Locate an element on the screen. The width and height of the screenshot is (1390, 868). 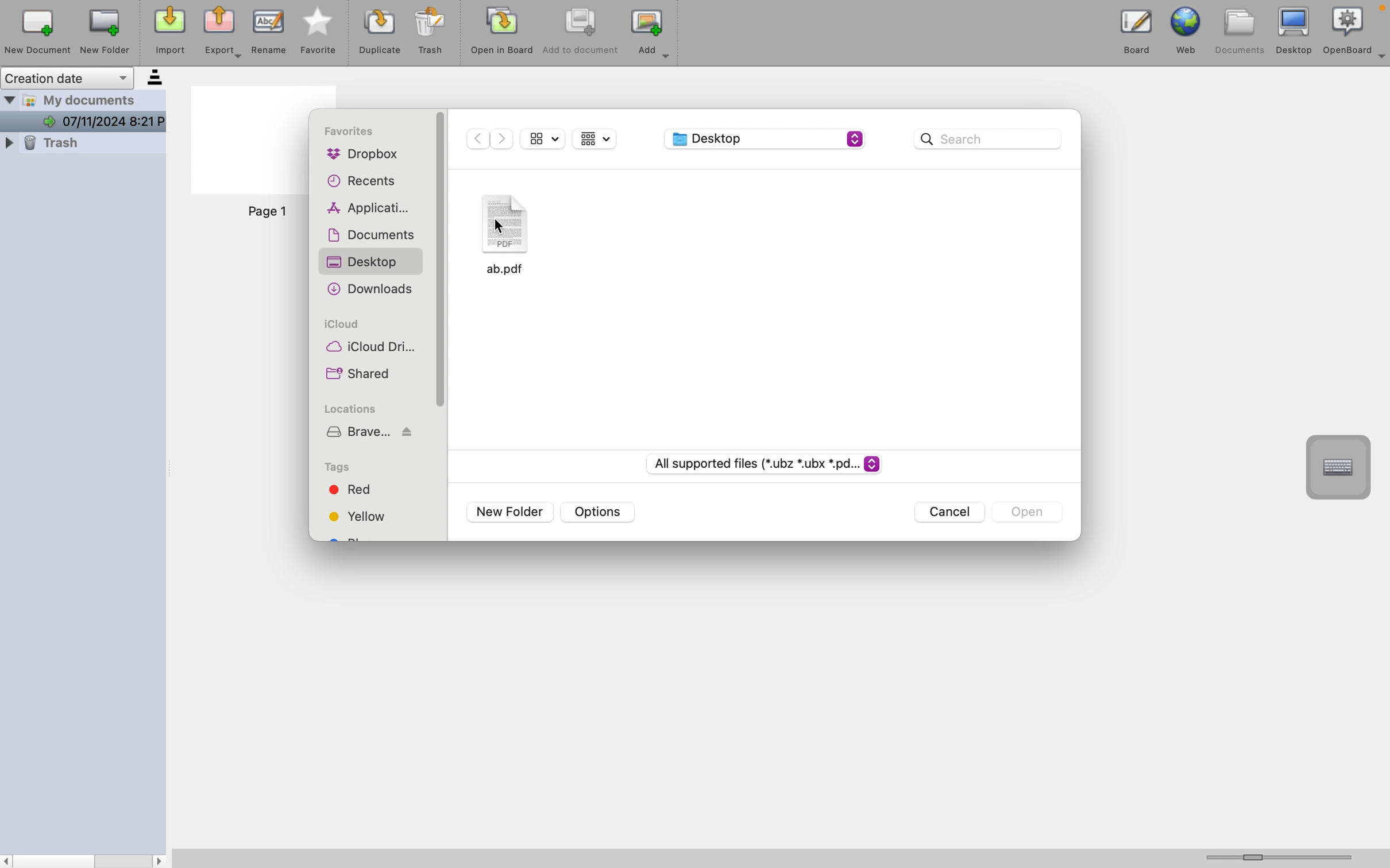
display options is located at coordinates (543, 139).